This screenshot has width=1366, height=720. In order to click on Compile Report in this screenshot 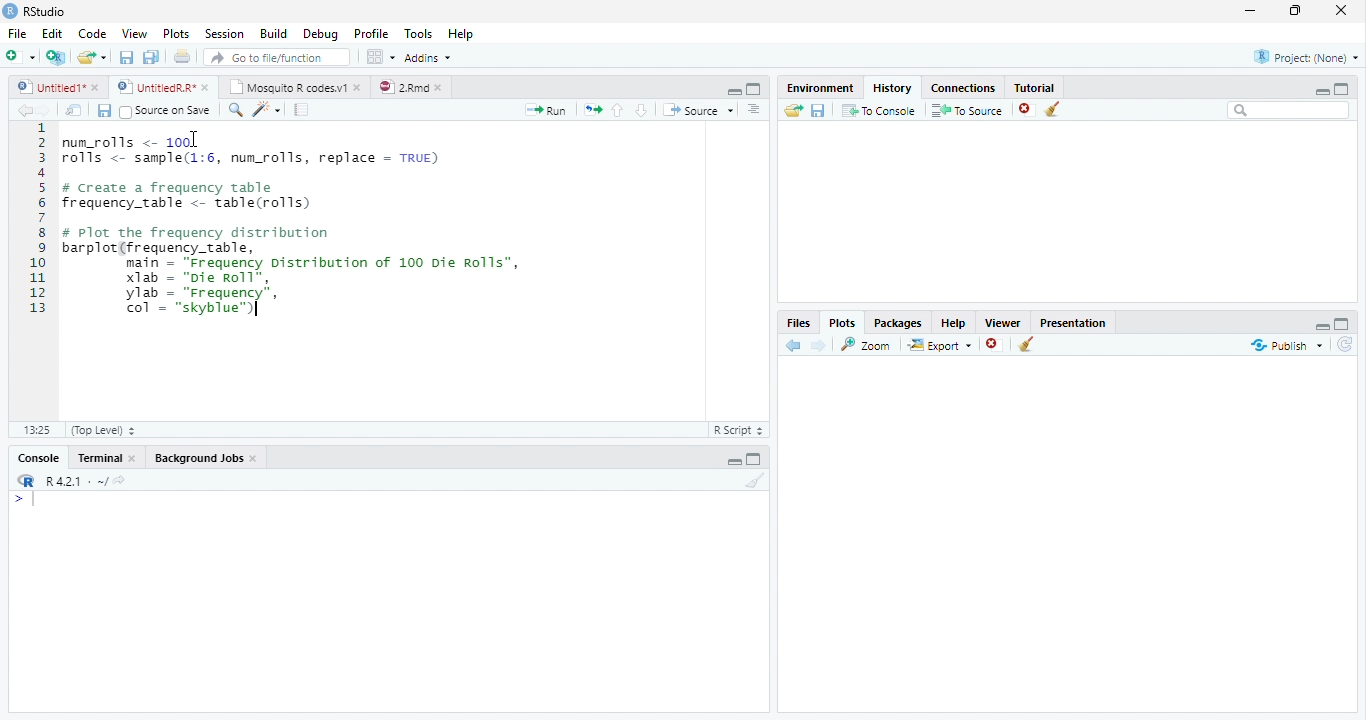, I will do `click(303, 109)`.